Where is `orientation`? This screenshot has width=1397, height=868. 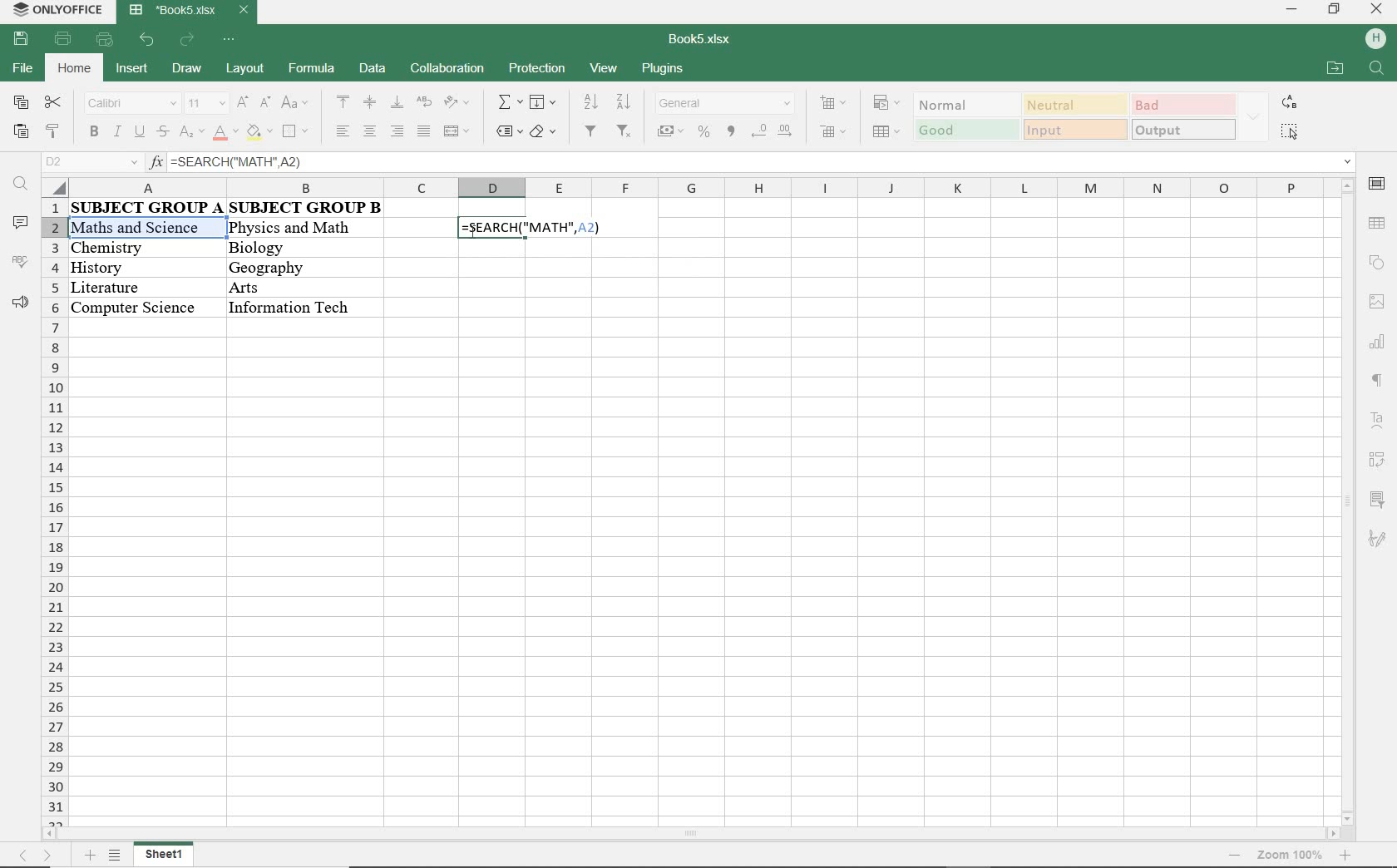 orientation is located at coordinates (457, 103).